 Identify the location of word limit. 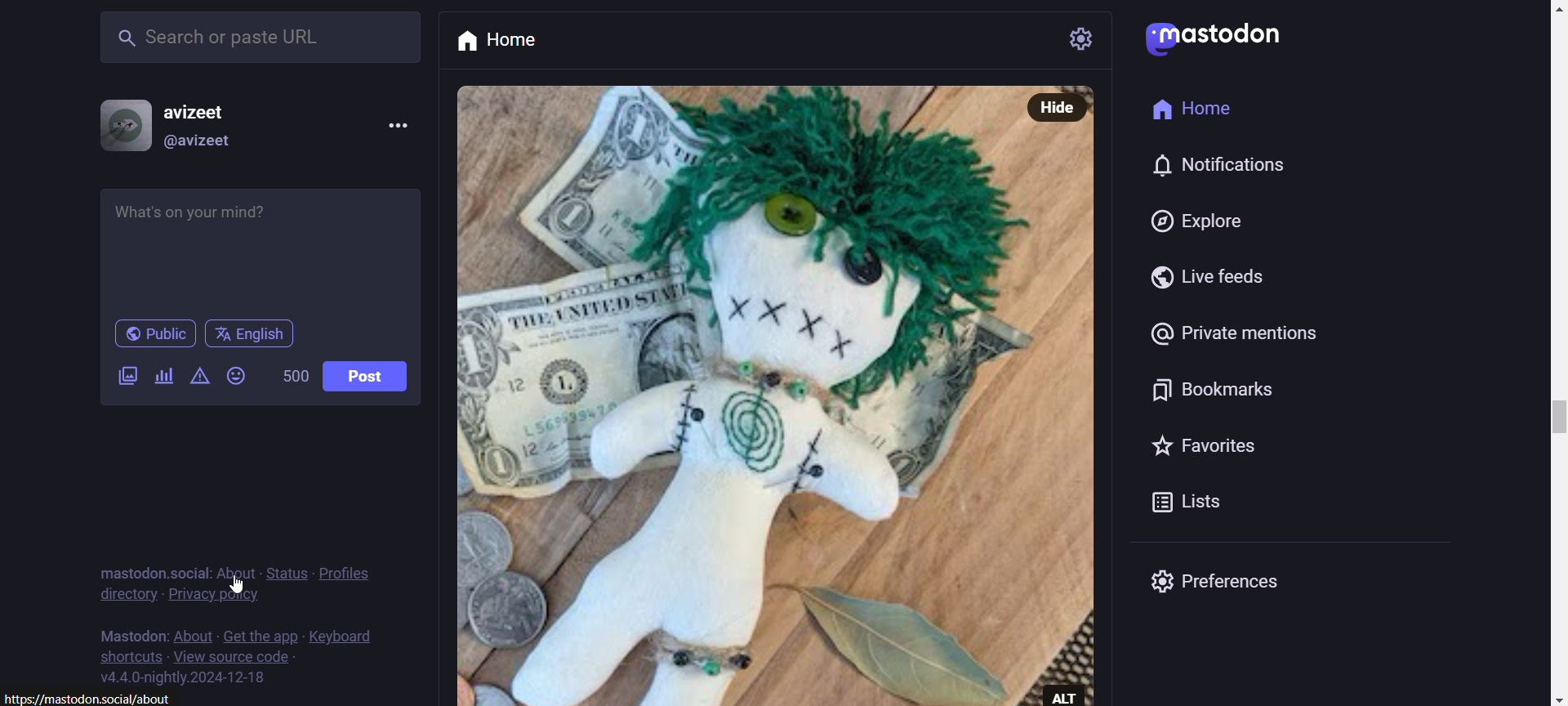
(292, 378).